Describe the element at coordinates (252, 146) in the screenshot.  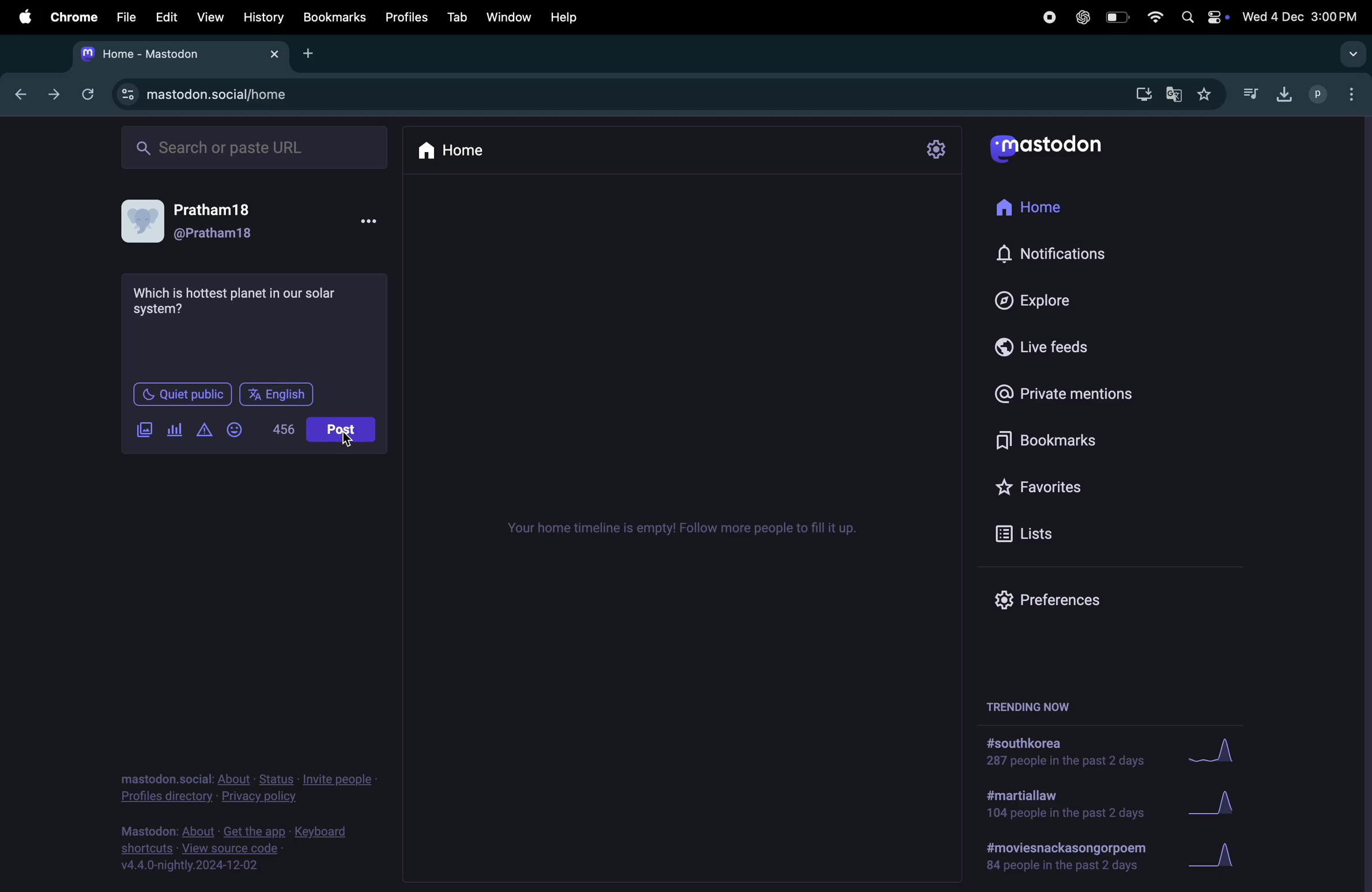
I see `search bar` at that location.